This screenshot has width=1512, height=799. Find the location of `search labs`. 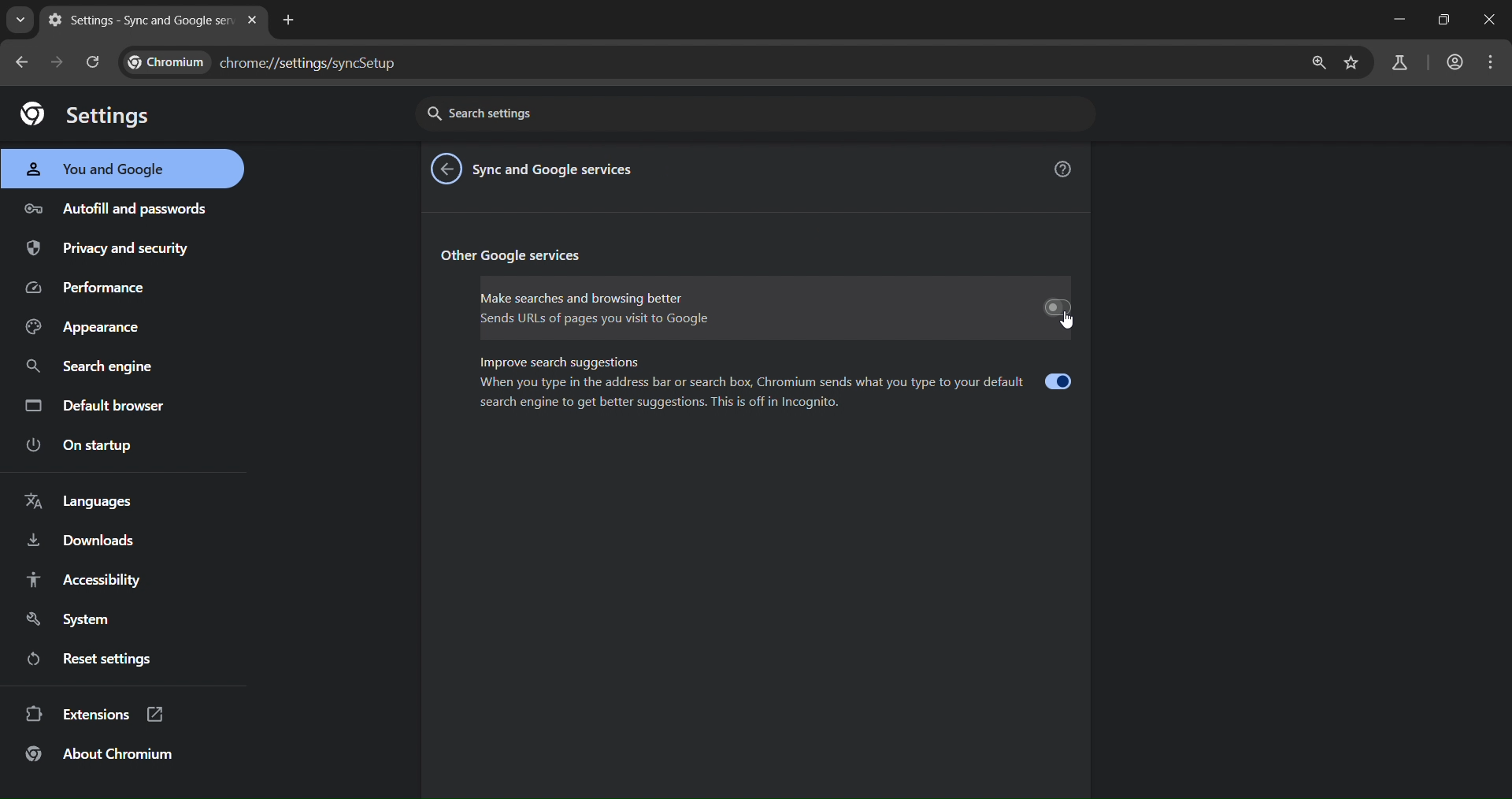

search labs is located at coordinates (1400, 61).